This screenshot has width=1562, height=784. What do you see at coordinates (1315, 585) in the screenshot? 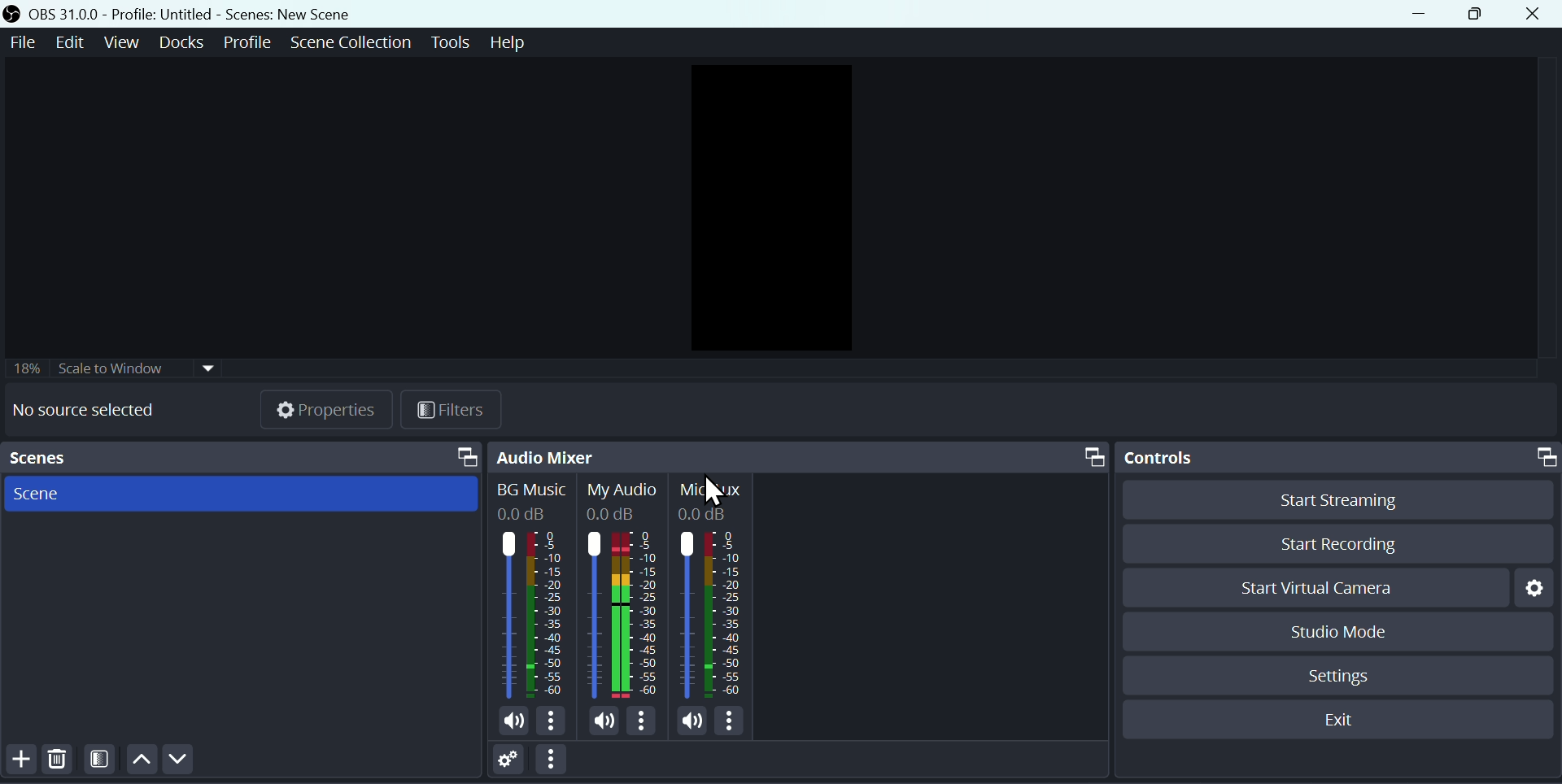
I see `Start virtual camera` at bounding box center [1315, 585].